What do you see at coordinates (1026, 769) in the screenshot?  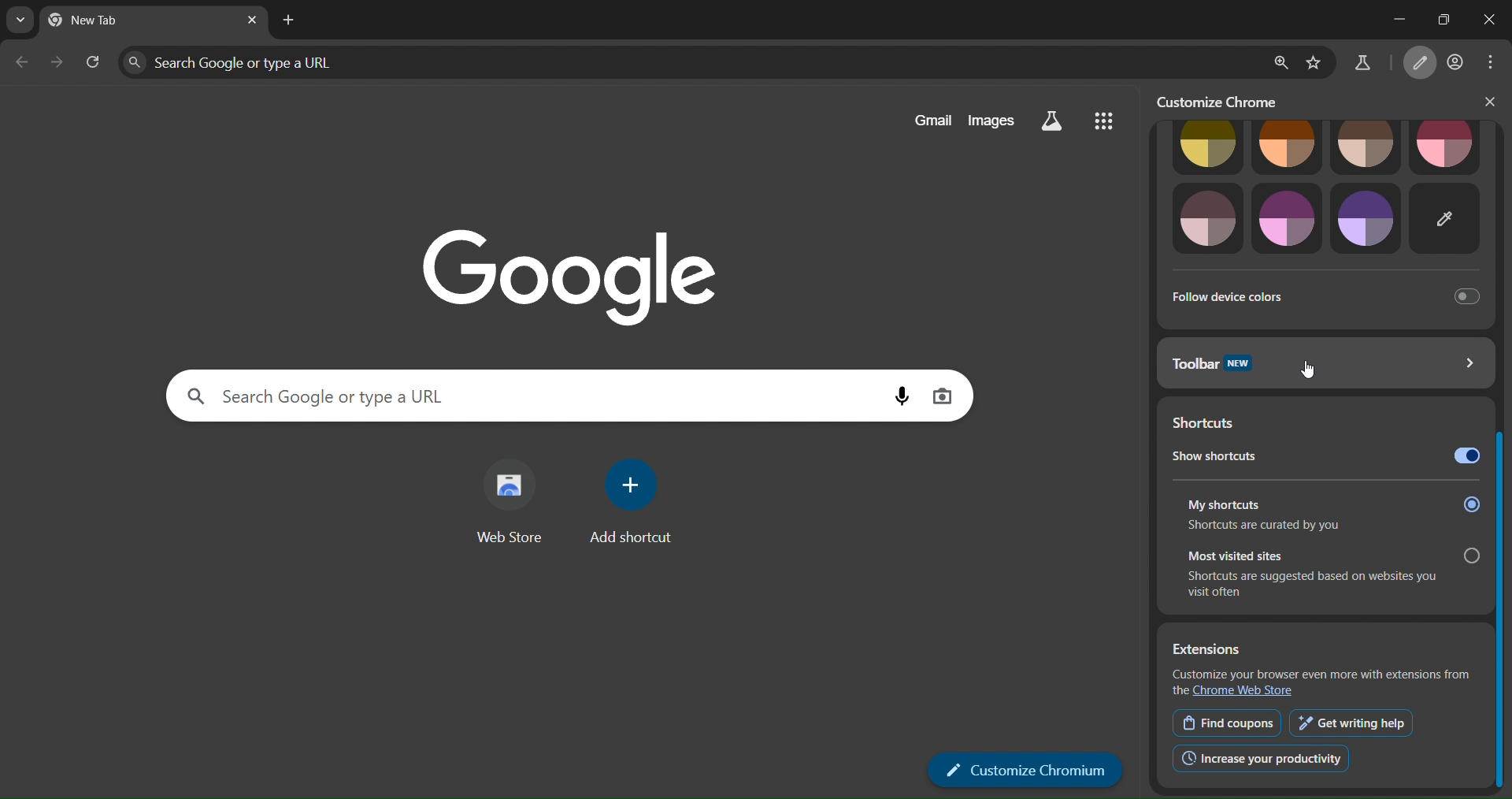 I see `customize chromium` at bounding box center [1026, 769].